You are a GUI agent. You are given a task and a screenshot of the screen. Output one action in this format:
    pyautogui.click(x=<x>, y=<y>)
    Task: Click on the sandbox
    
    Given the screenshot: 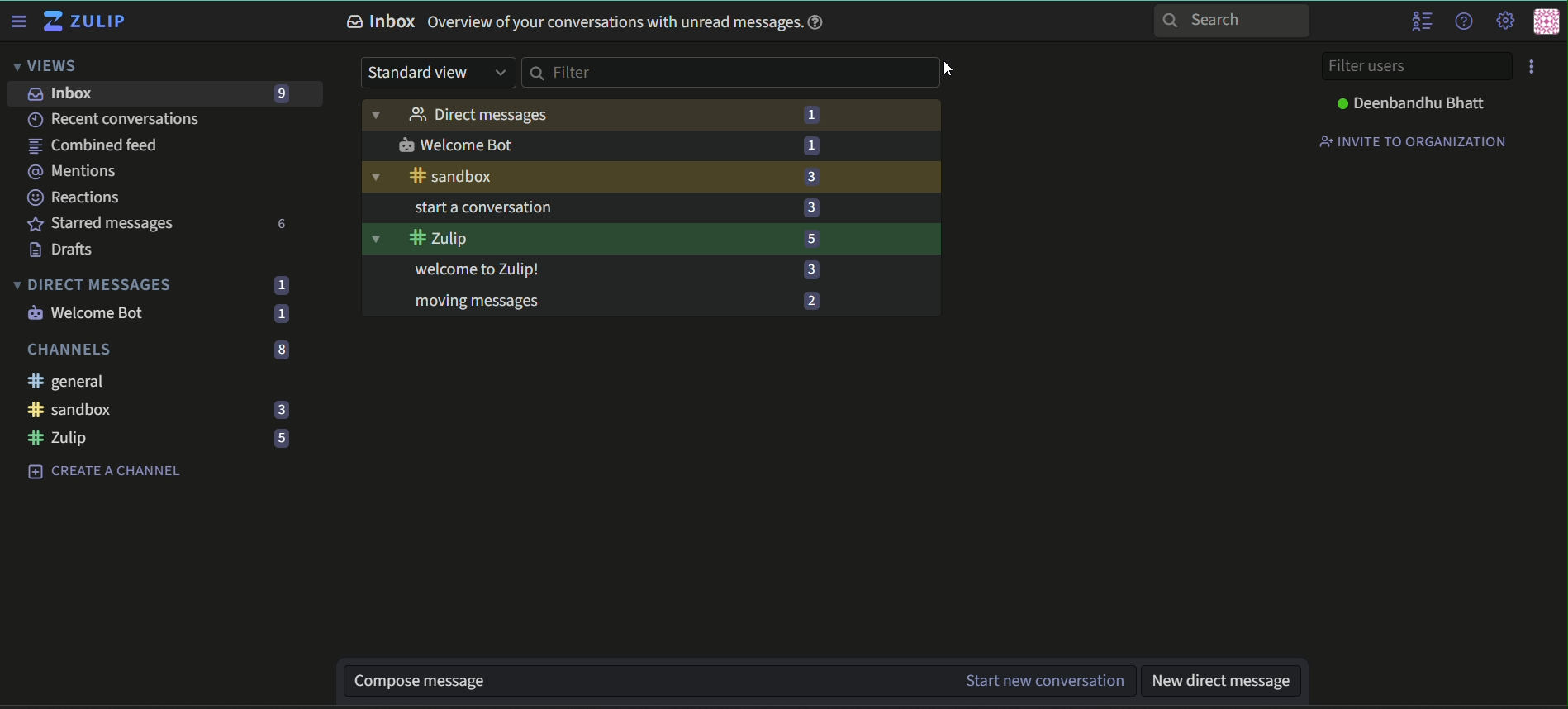 What is the action you would take?
    pyautogui.click(x=74, y=411)
    